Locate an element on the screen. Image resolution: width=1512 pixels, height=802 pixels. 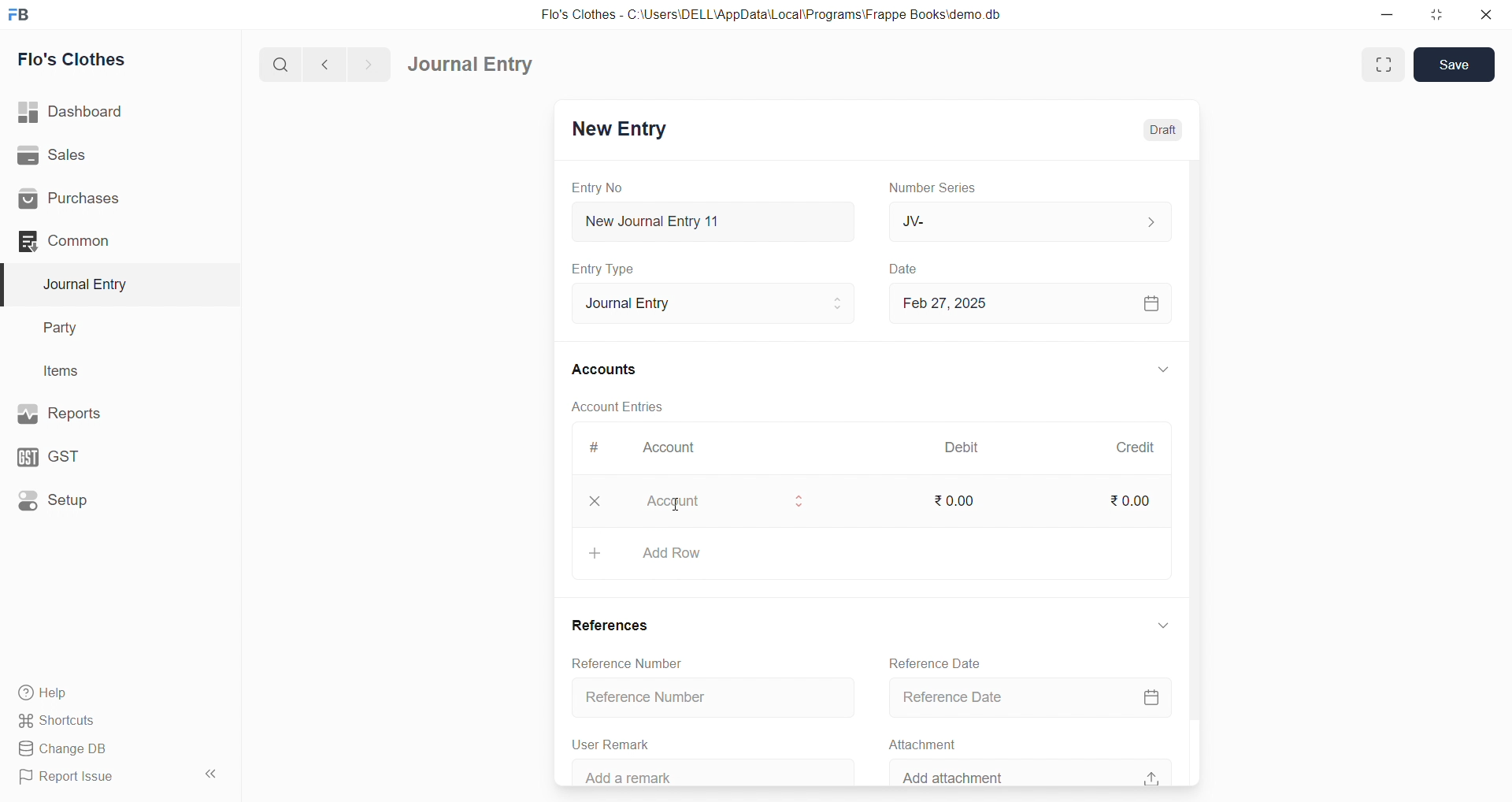
cursor is located at coordinates (681, 513).